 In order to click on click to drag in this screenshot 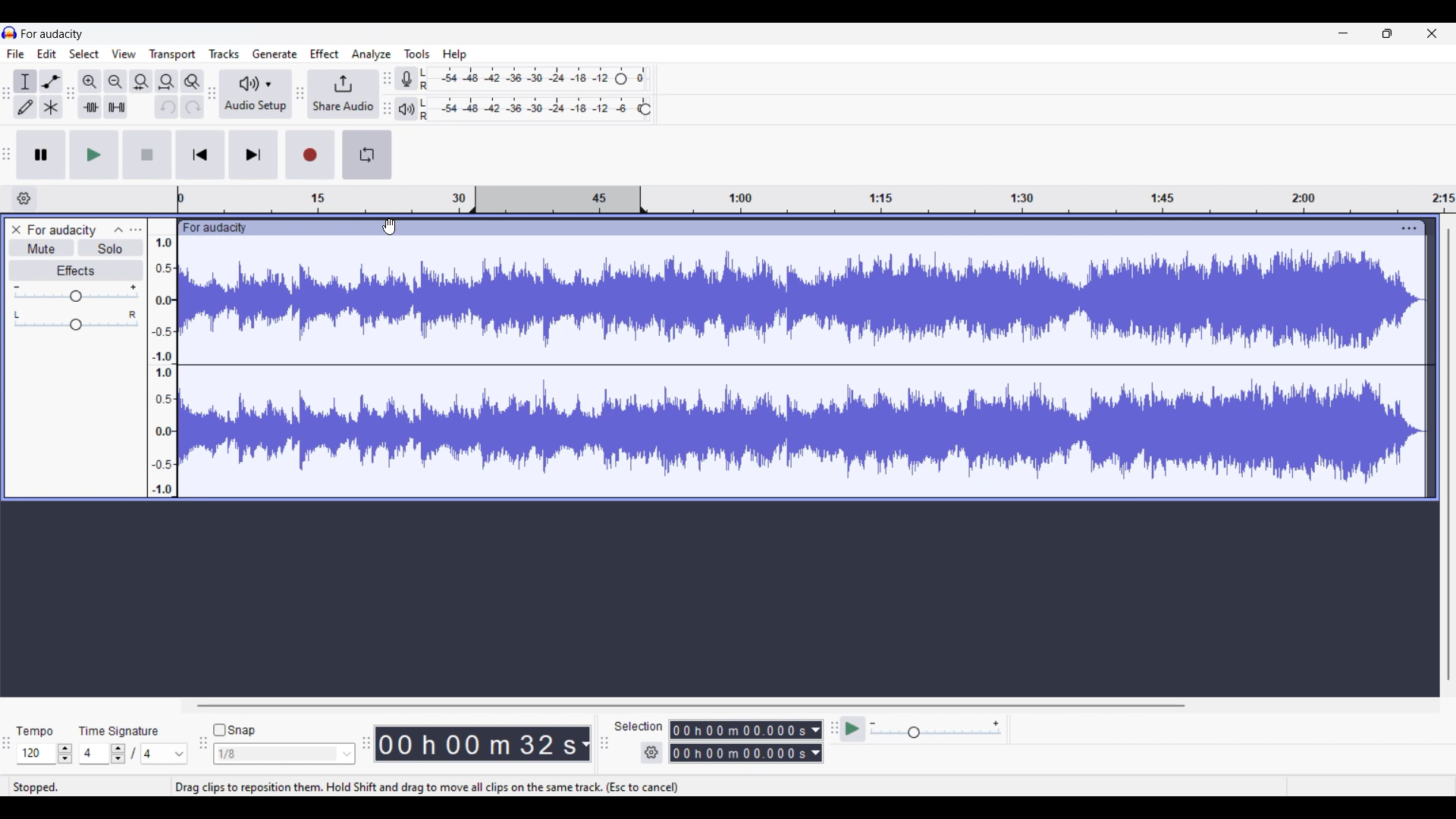, I will do `click(786, 228)`.